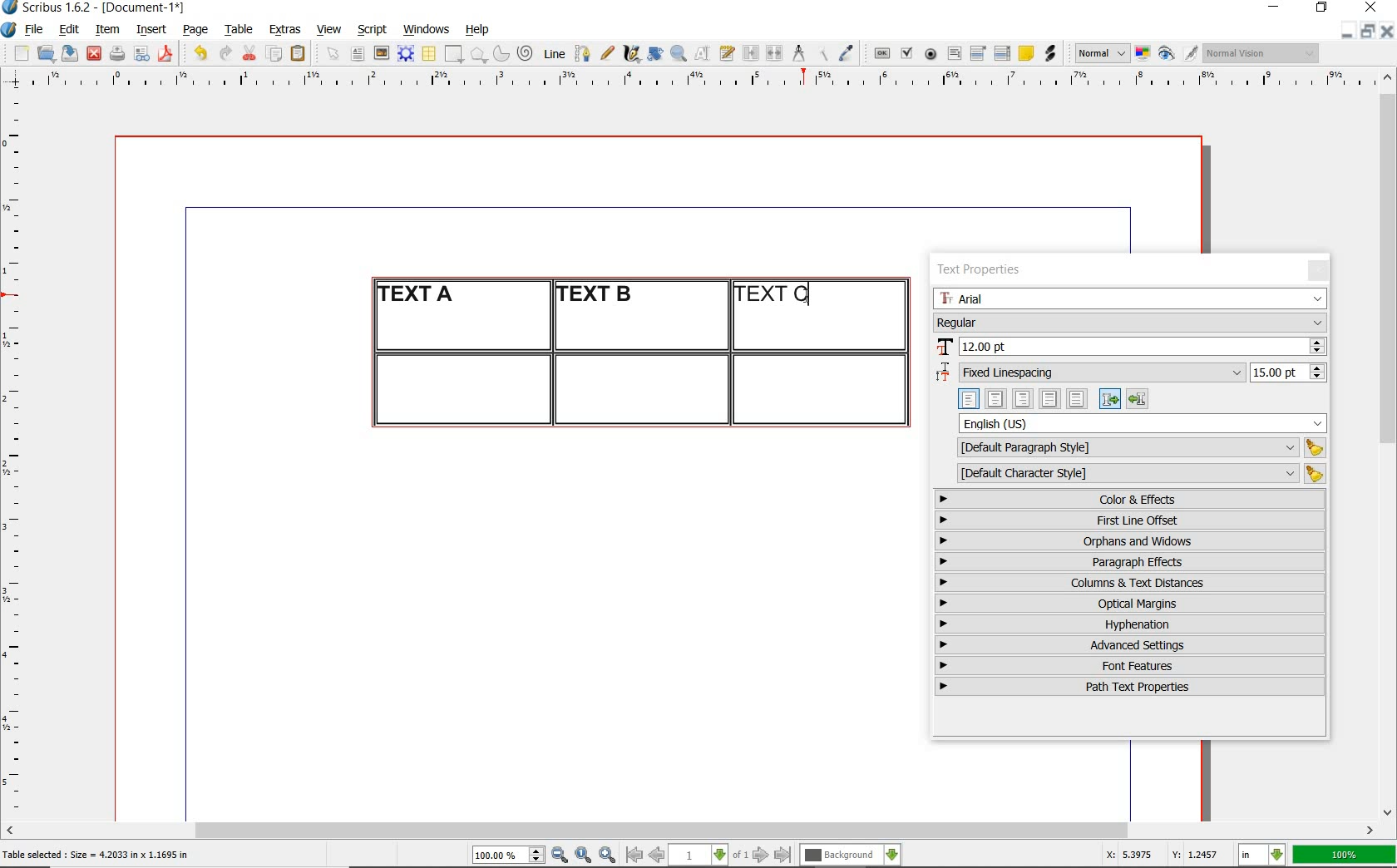 The image size is (1397, 868). Describe the element at coordinates (430, 54) in the screenshot. I see `table` at that location.